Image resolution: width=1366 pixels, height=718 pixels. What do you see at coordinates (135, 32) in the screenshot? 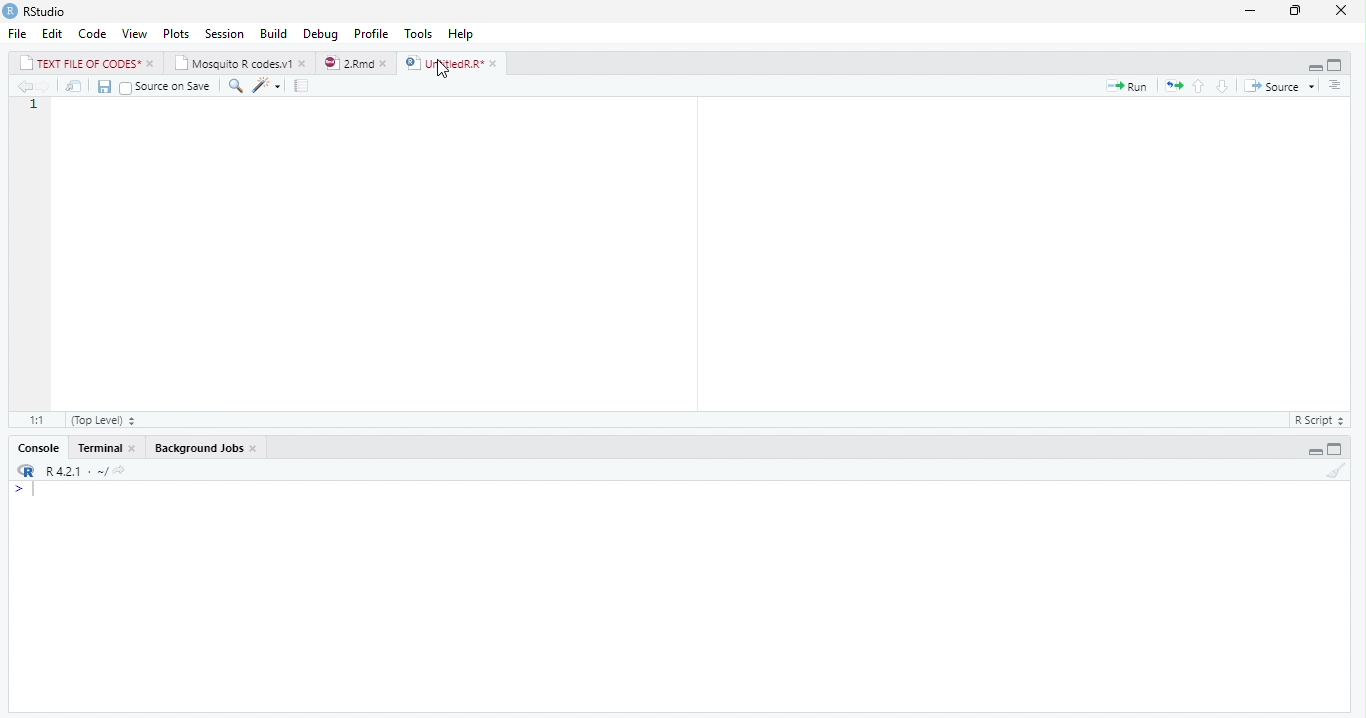
I see `View` at bounding box center [135, 32].